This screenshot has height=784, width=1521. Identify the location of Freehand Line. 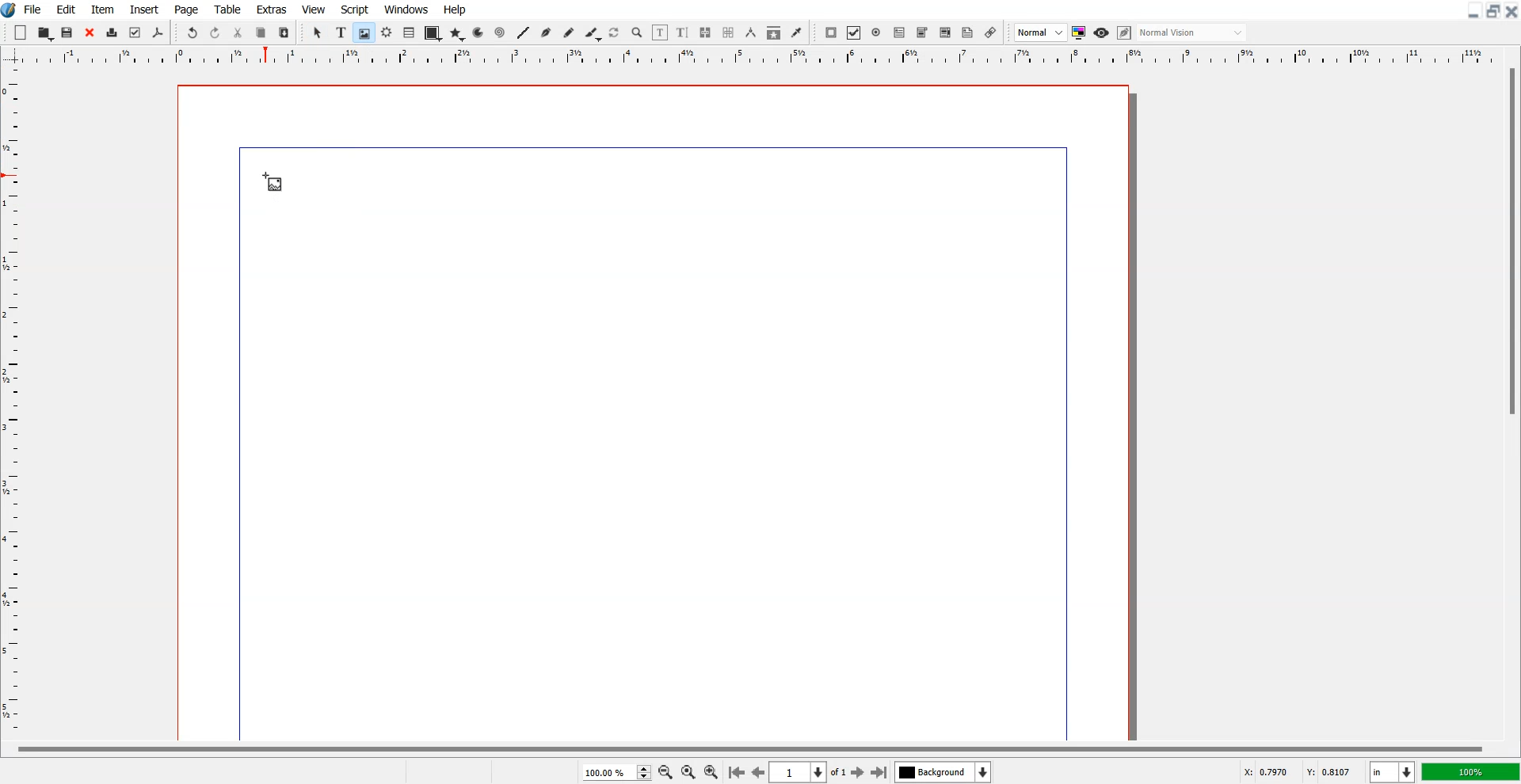
(569, 32).